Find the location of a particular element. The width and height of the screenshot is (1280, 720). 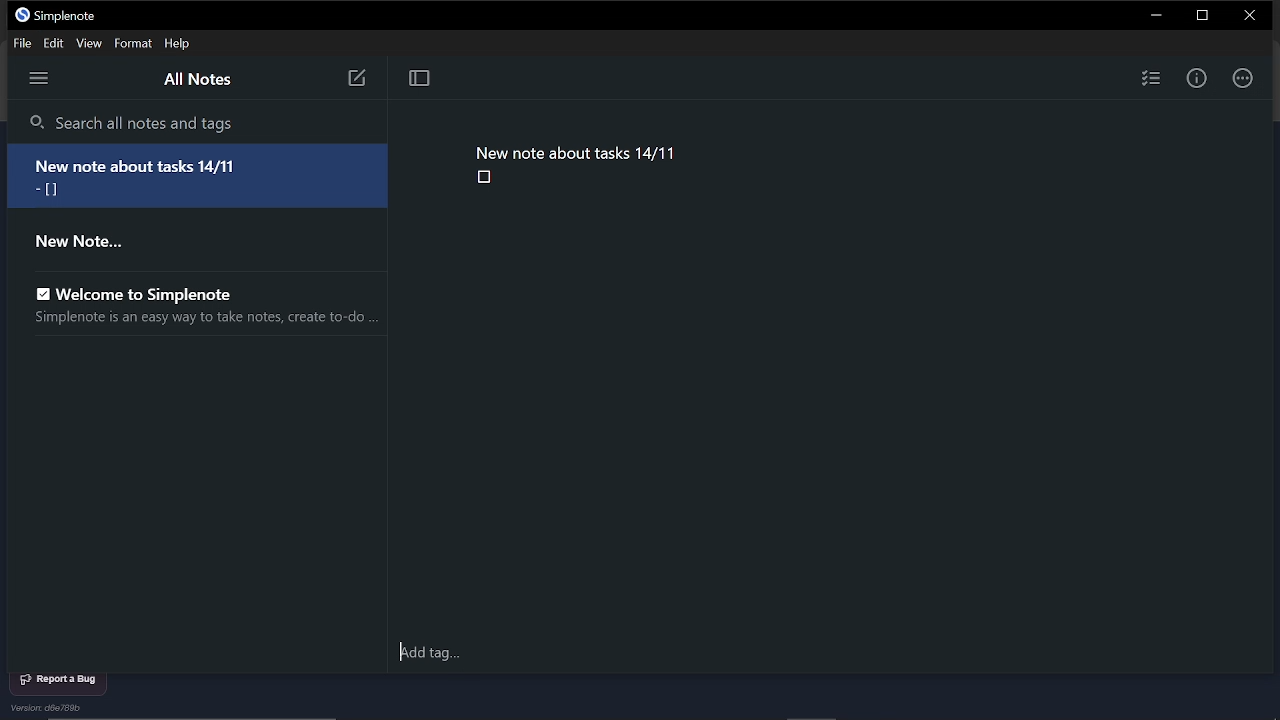

Search all notes and tags is located at coordinates (197, 122).